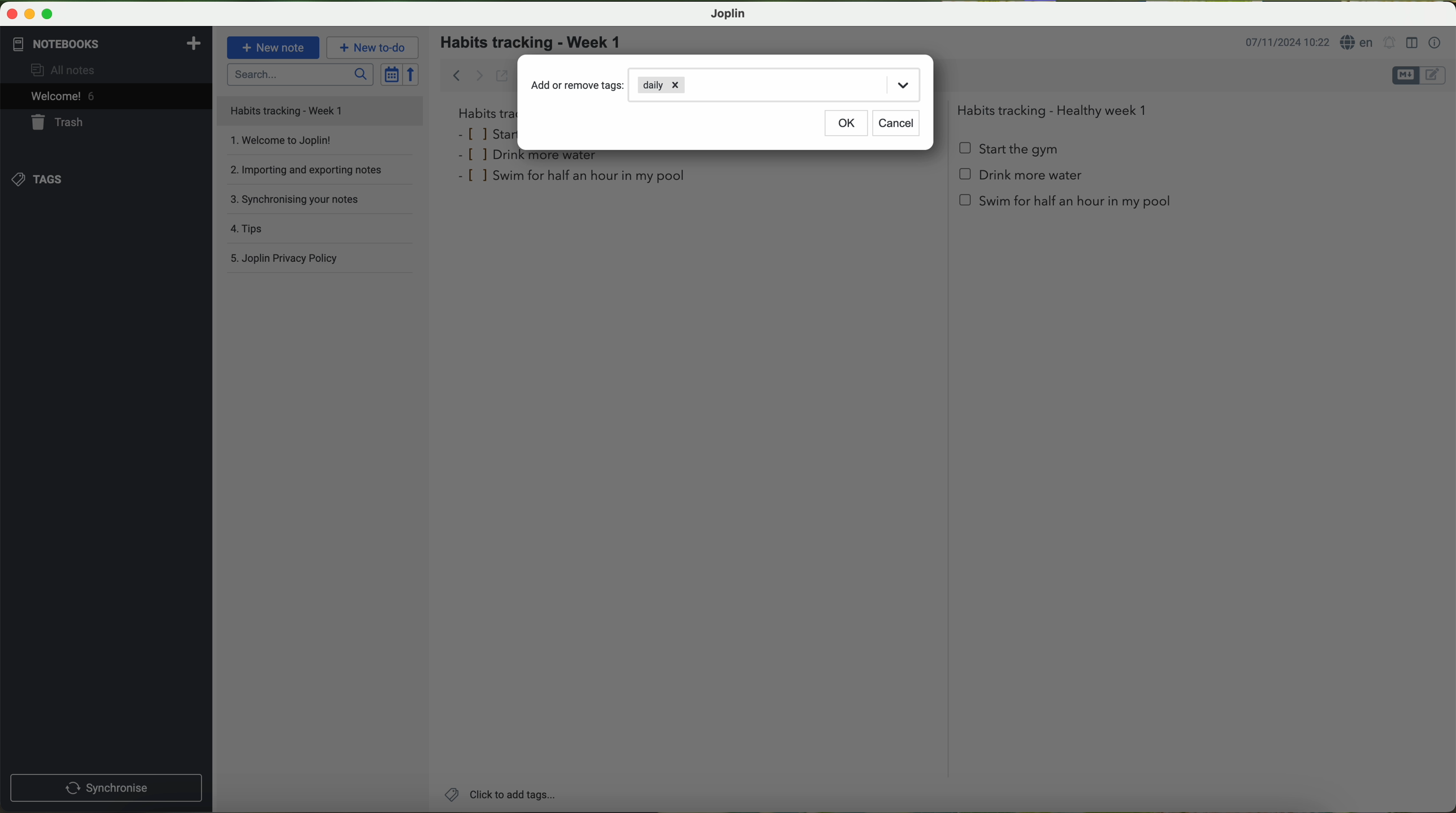 This screenshot has height=813, width=1456. I want to click on search bar, so click(299, 74).